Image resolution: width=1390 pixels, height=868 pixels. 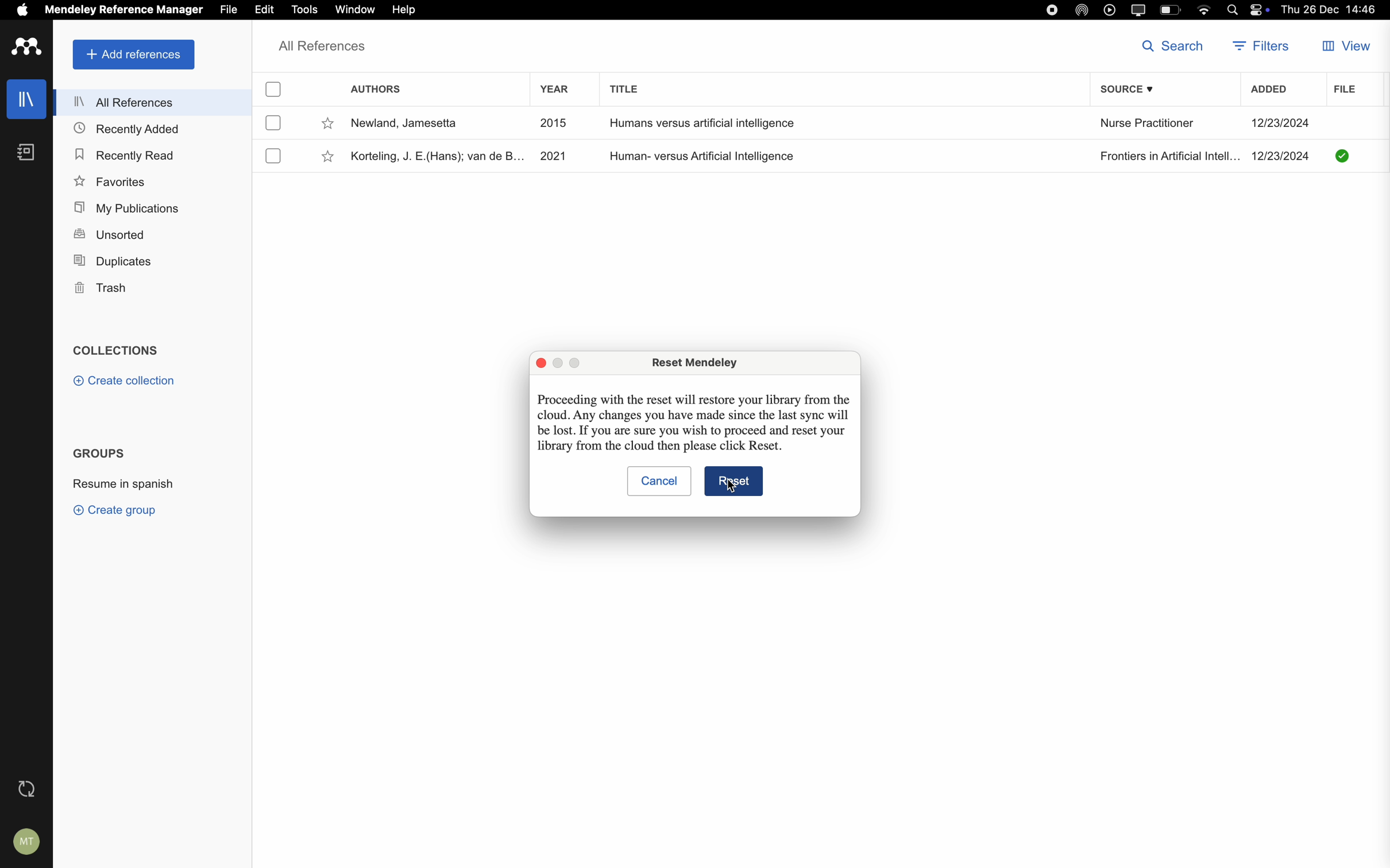 I want to click on all references, so click(x=151, y=102).